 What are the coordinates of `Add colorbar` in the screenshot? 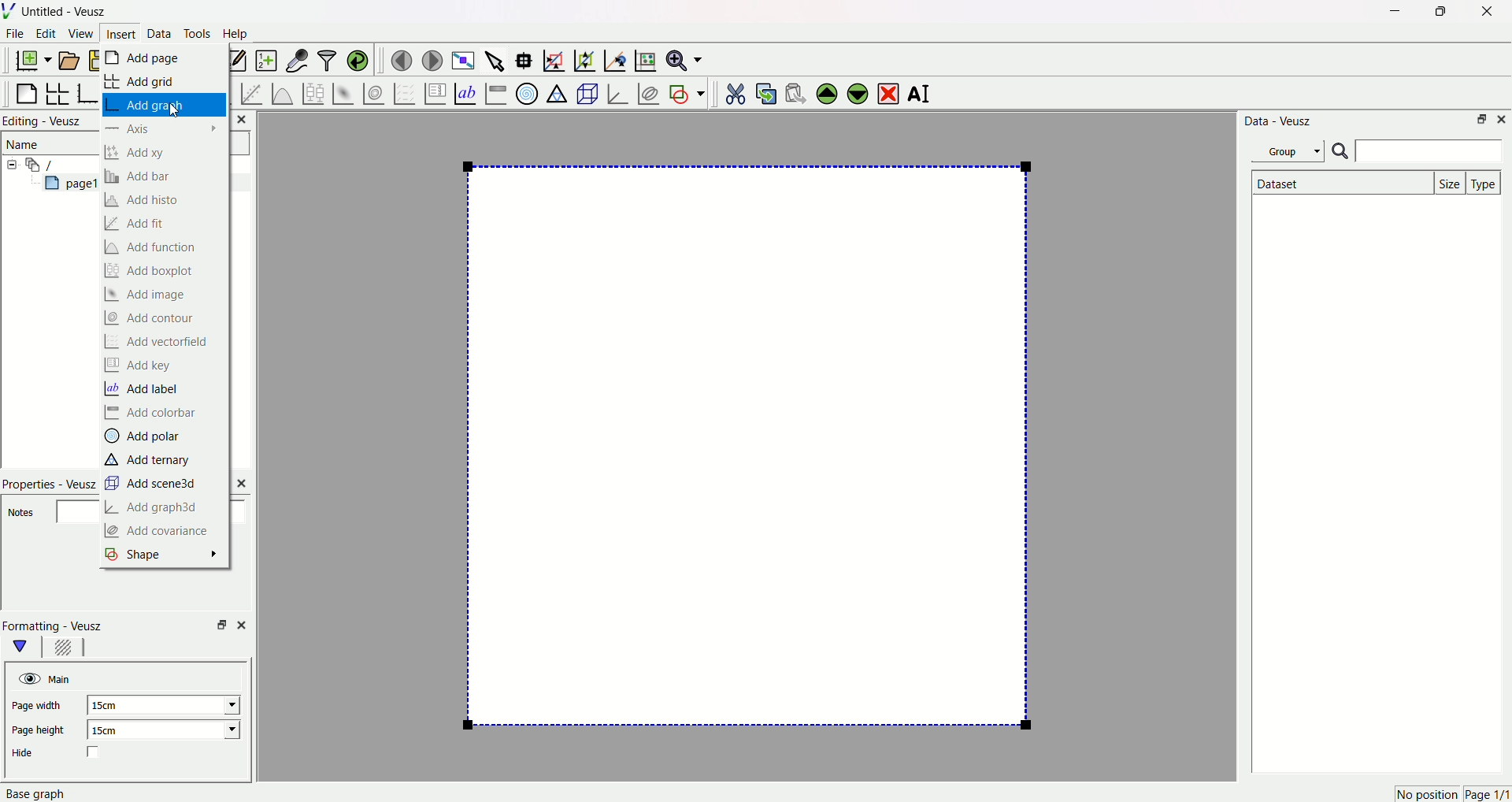 It's located at (152, 414).